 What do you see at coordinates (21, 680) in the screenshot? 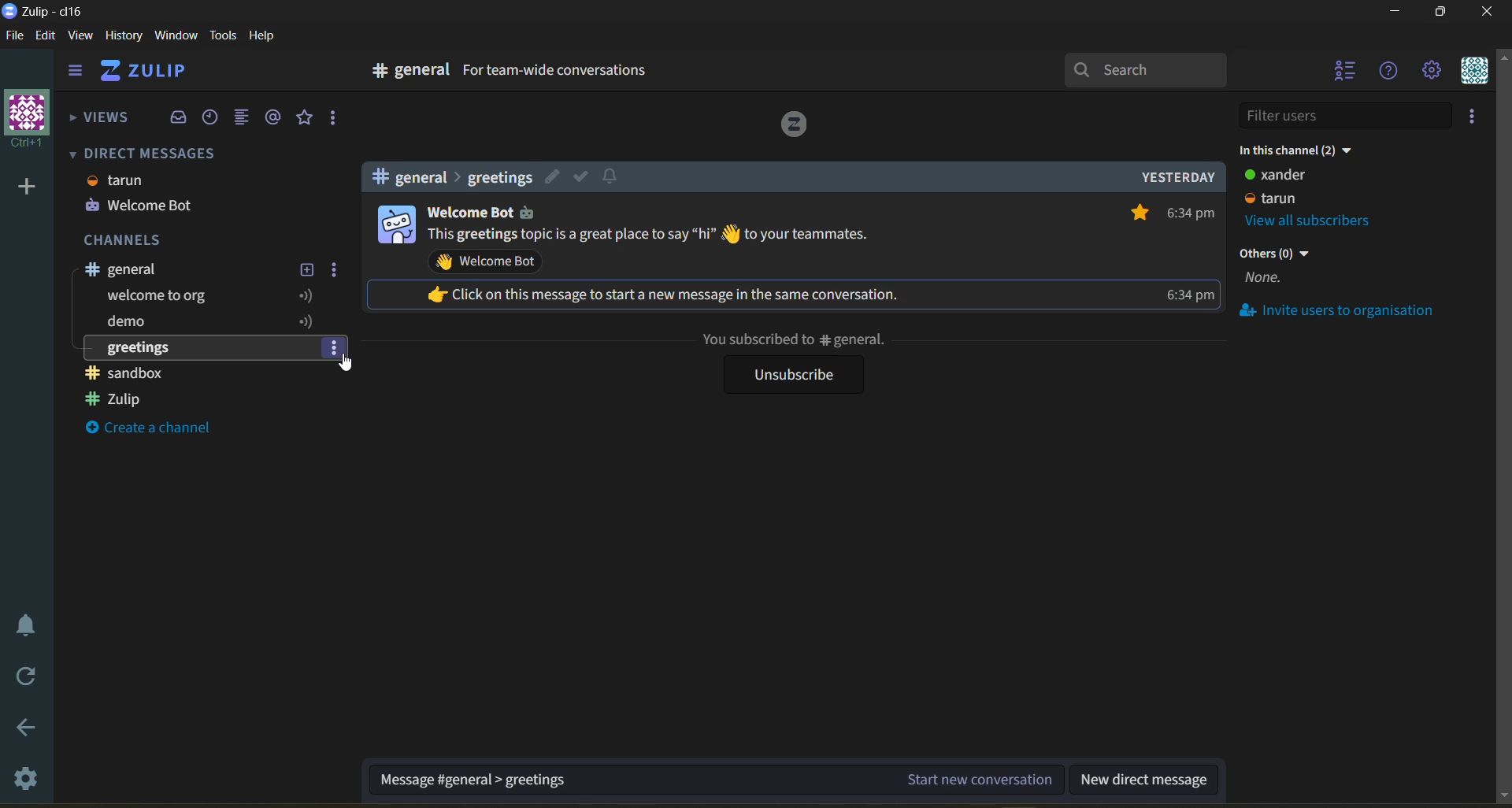
I see `reload` at bounding box center [21, 680].